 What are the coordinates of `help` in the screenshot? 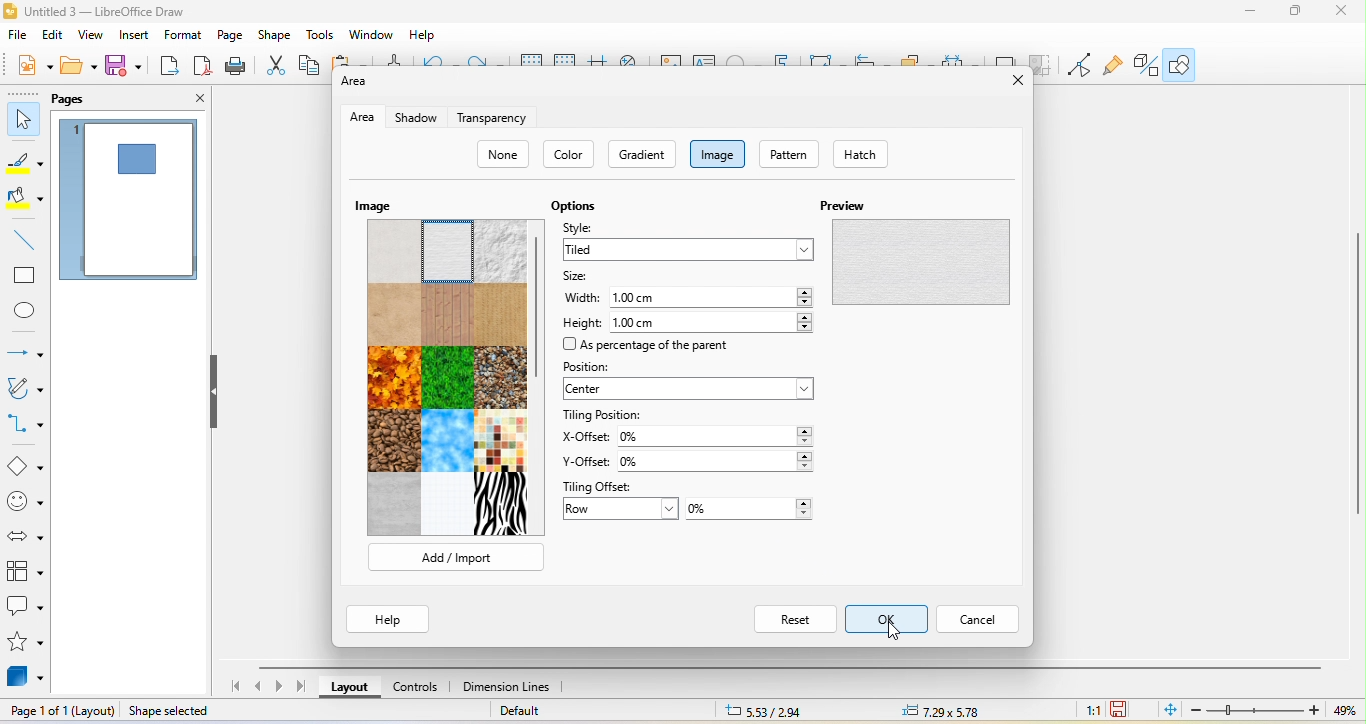 It's located at (426, 36).